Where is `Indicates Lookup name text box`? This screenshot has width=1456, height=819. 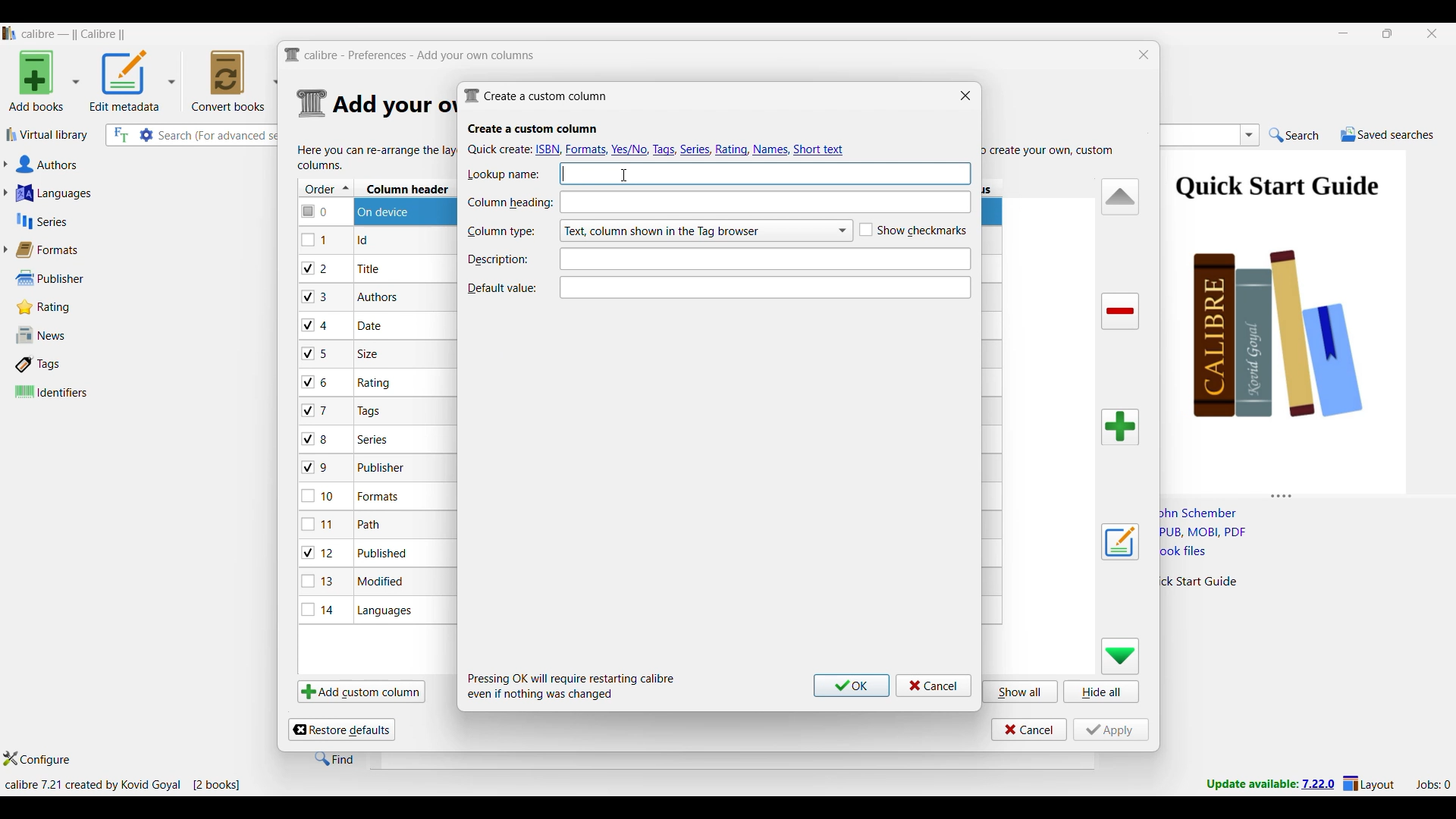
Indicates Lookup name text box is located at coordinates (504, 175).